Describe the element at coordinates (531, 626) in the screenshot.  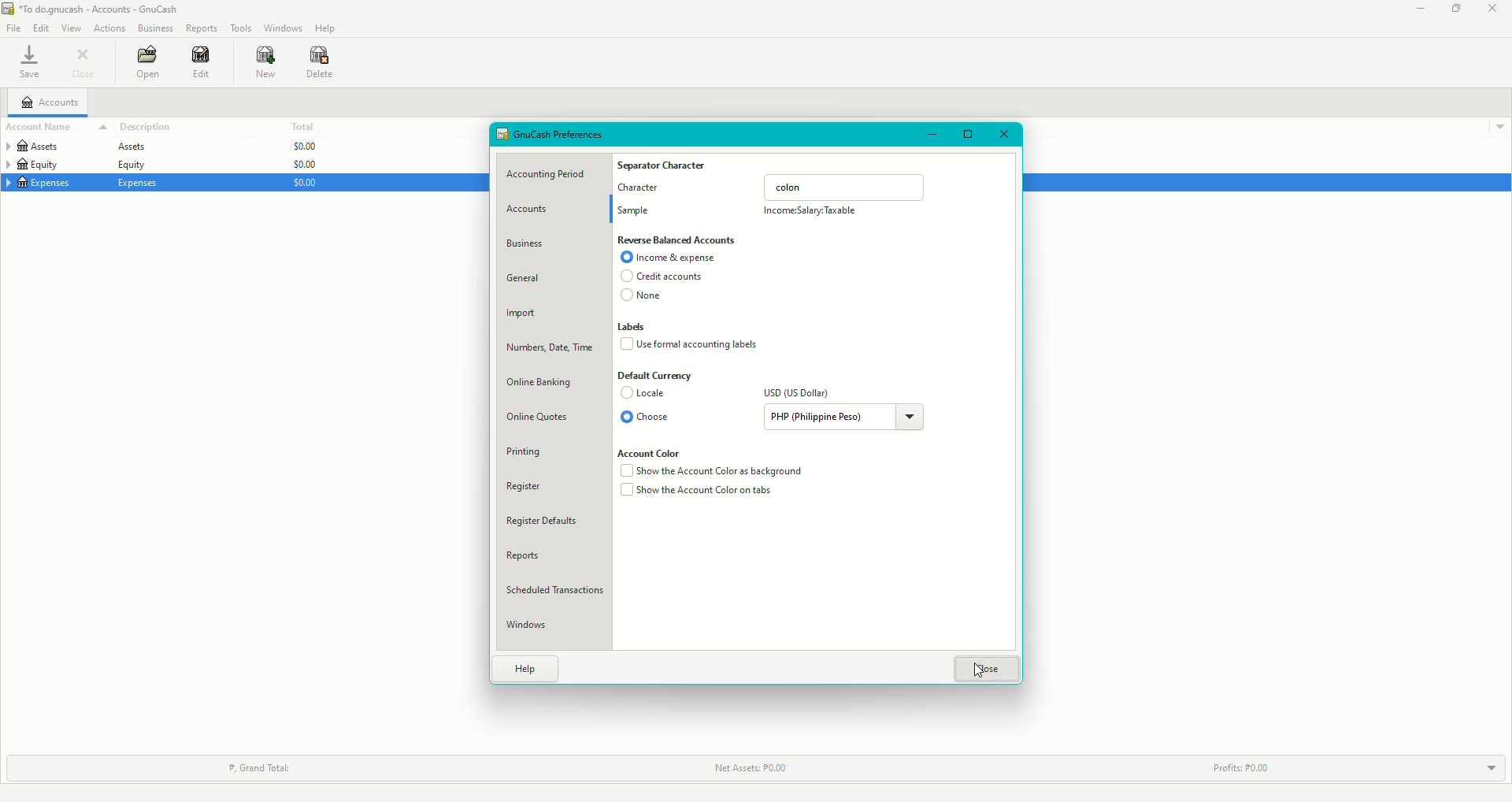
I see `Windows` at that location.